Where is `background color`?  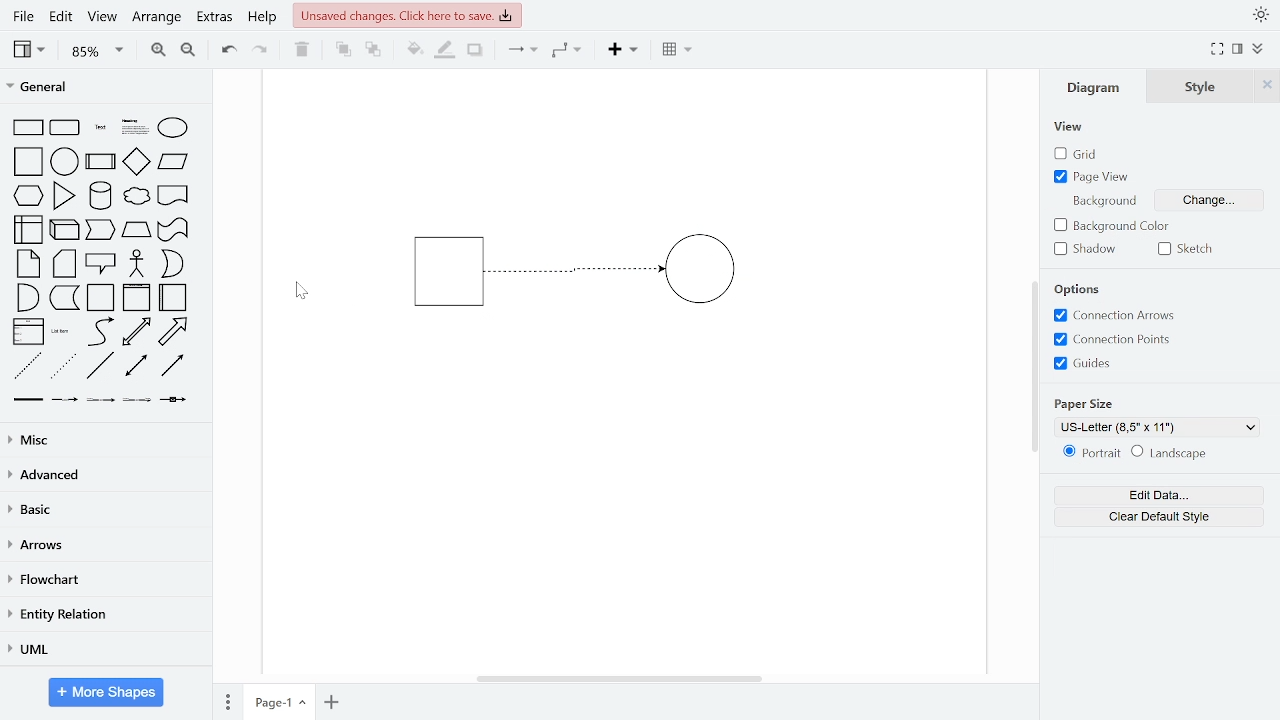 background color is located at coordinates (1105, 224).